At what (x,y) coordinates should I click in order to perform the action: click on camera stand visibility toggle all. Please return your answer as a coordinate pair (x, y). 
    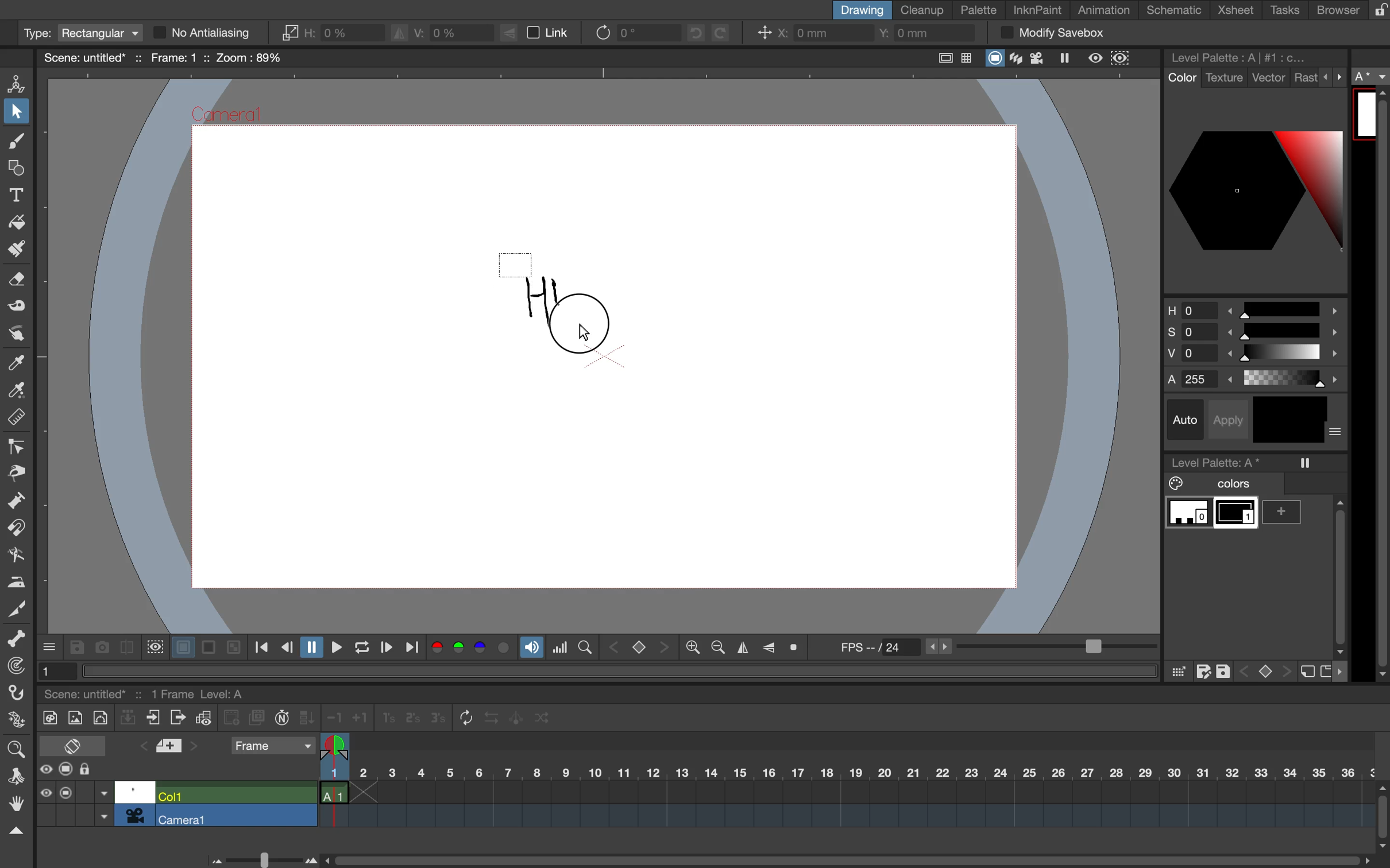
    Looking at the image, I should click on (66, 770).